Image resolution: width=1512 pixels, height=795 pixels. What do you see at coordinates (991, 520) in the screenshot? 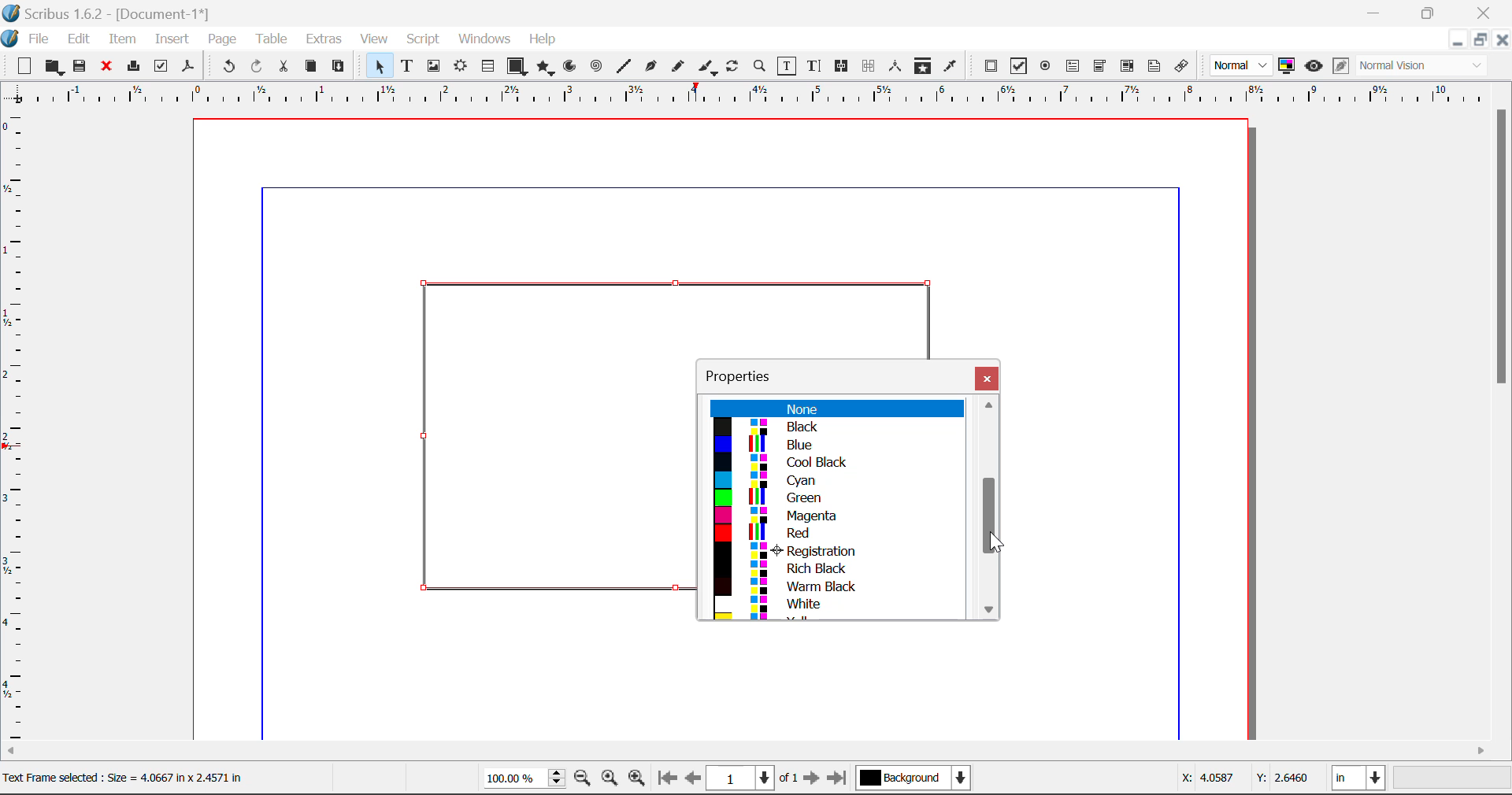
I see `MOUSE_UP Cursor` at bounding box center [991, 520].